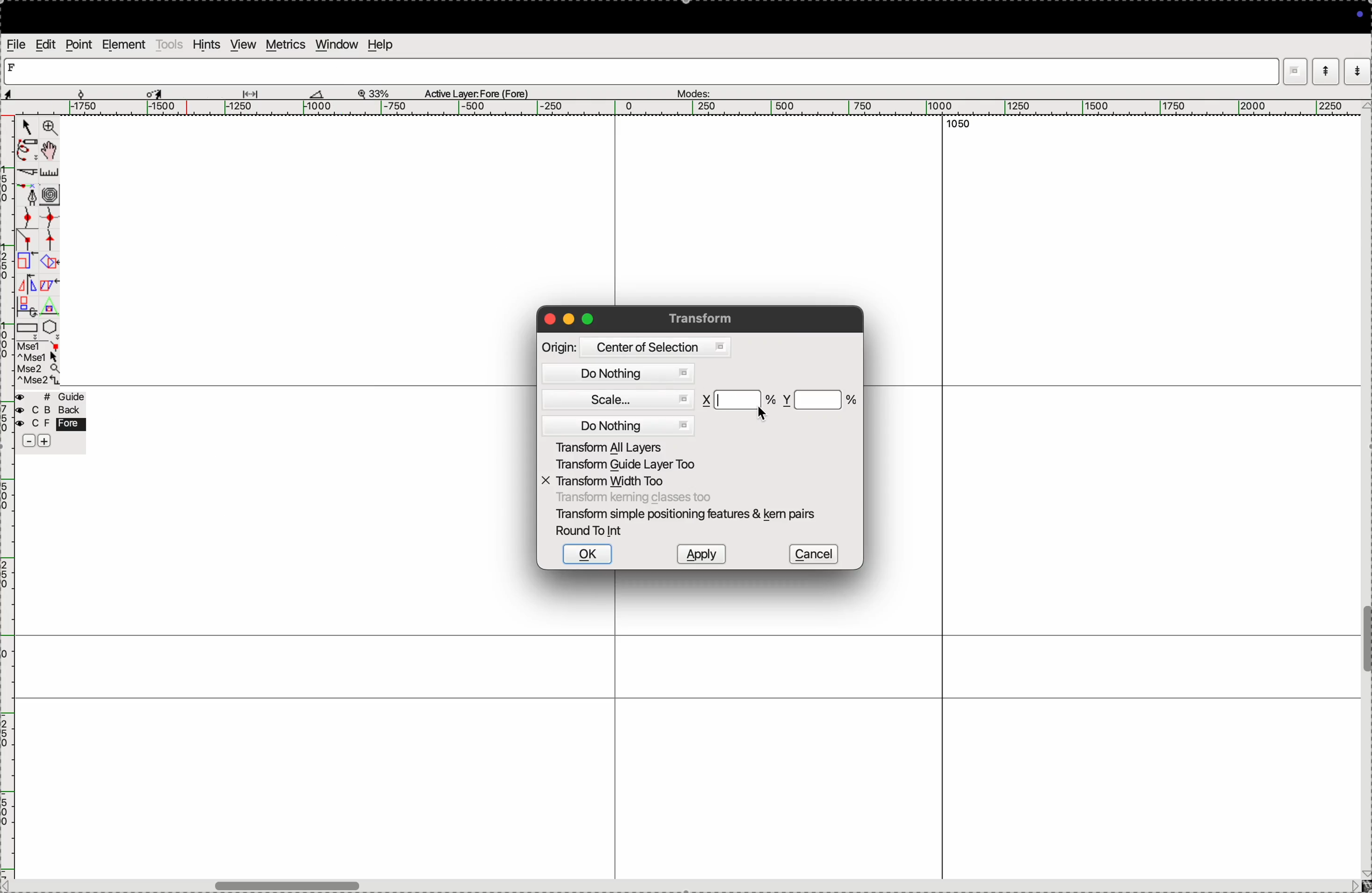 This screenshot has width=1372, height=893. I want to click on point, so click(78, 46).